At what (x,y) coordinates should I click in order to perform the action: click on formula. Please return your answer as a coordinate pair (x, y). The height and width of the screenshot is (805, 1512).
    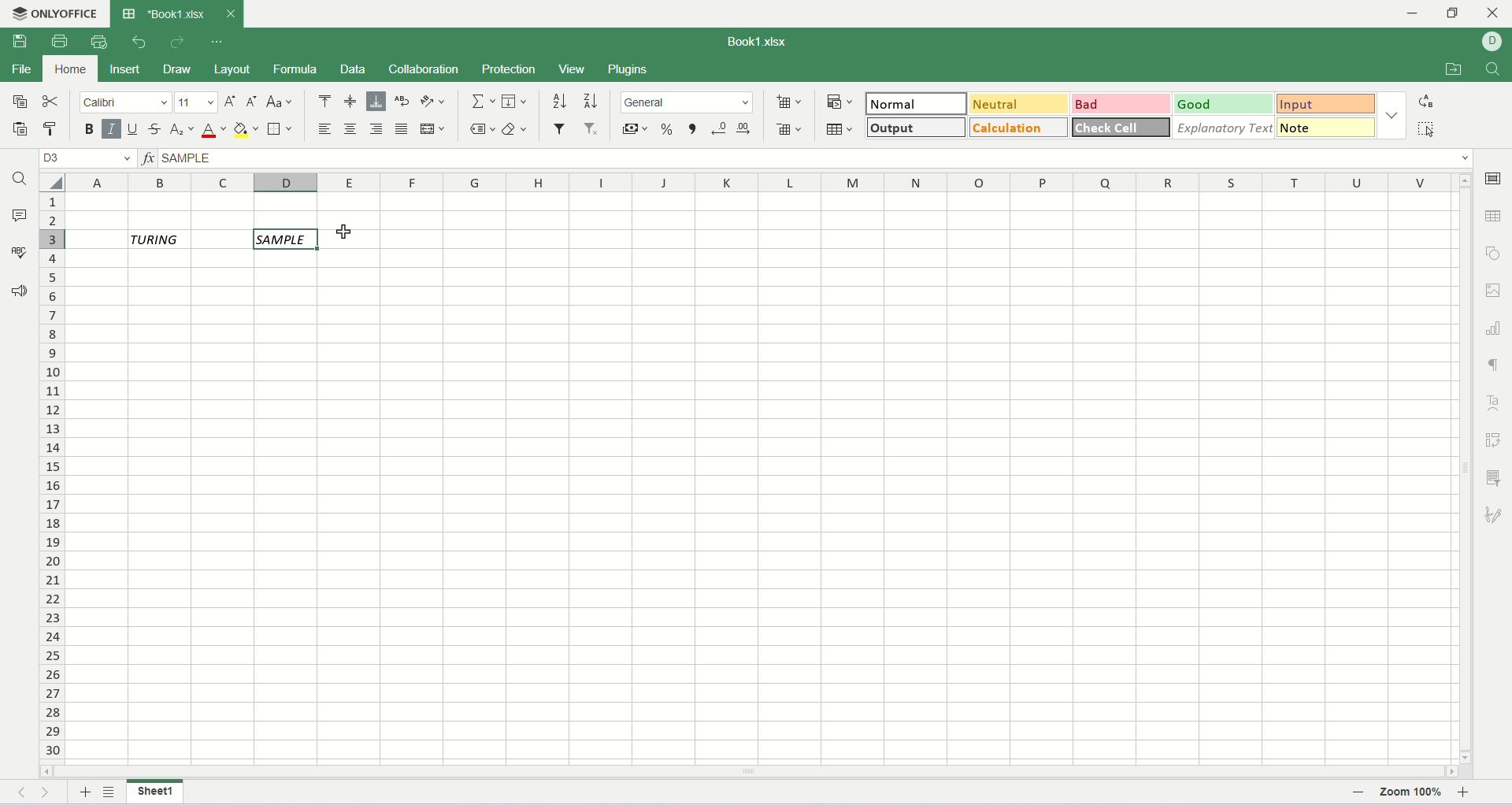
    Looking at the image, I should click on (297, 71).